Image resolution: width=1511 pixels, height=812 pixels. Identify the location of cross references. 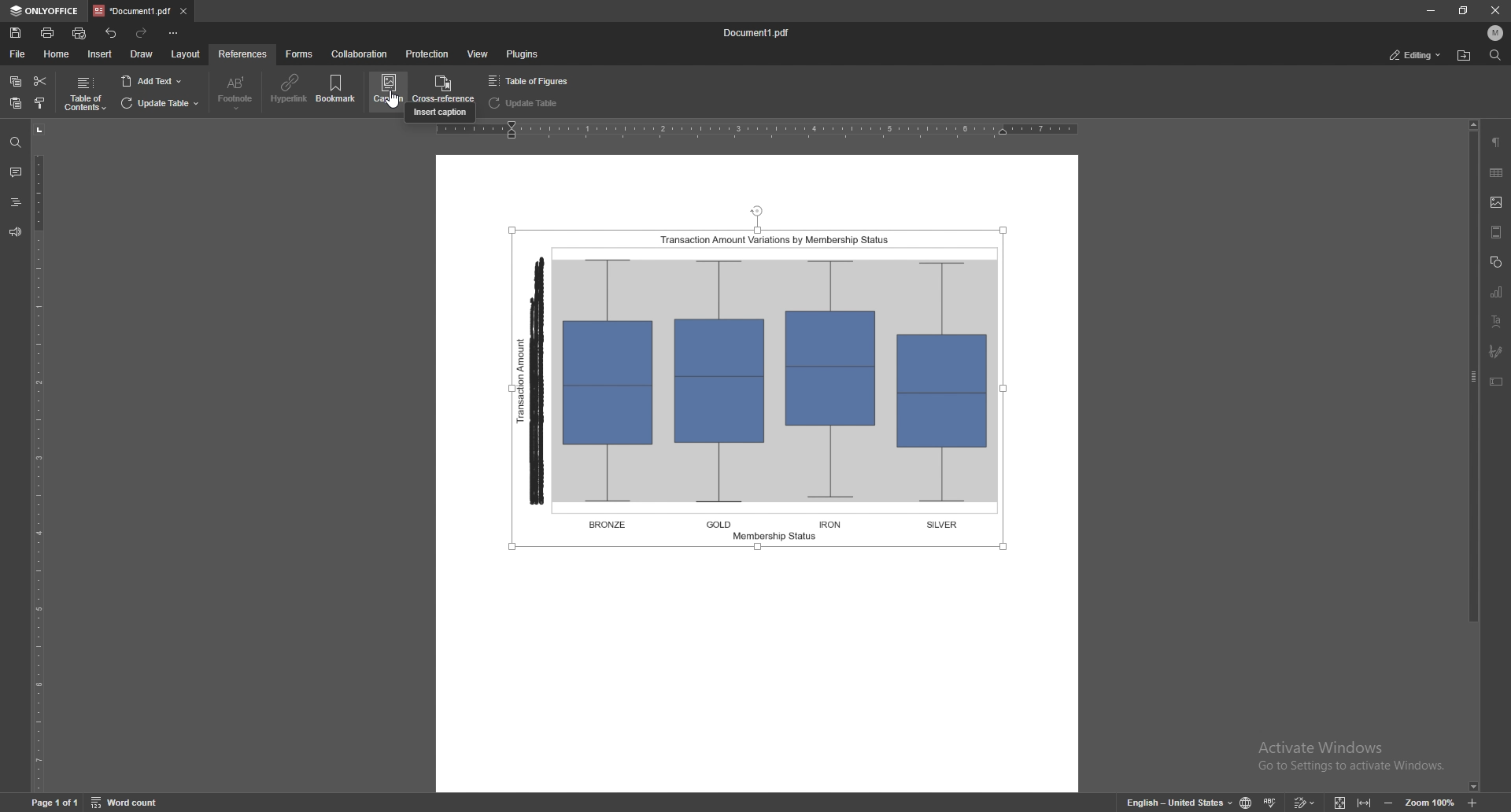
(442, 87).